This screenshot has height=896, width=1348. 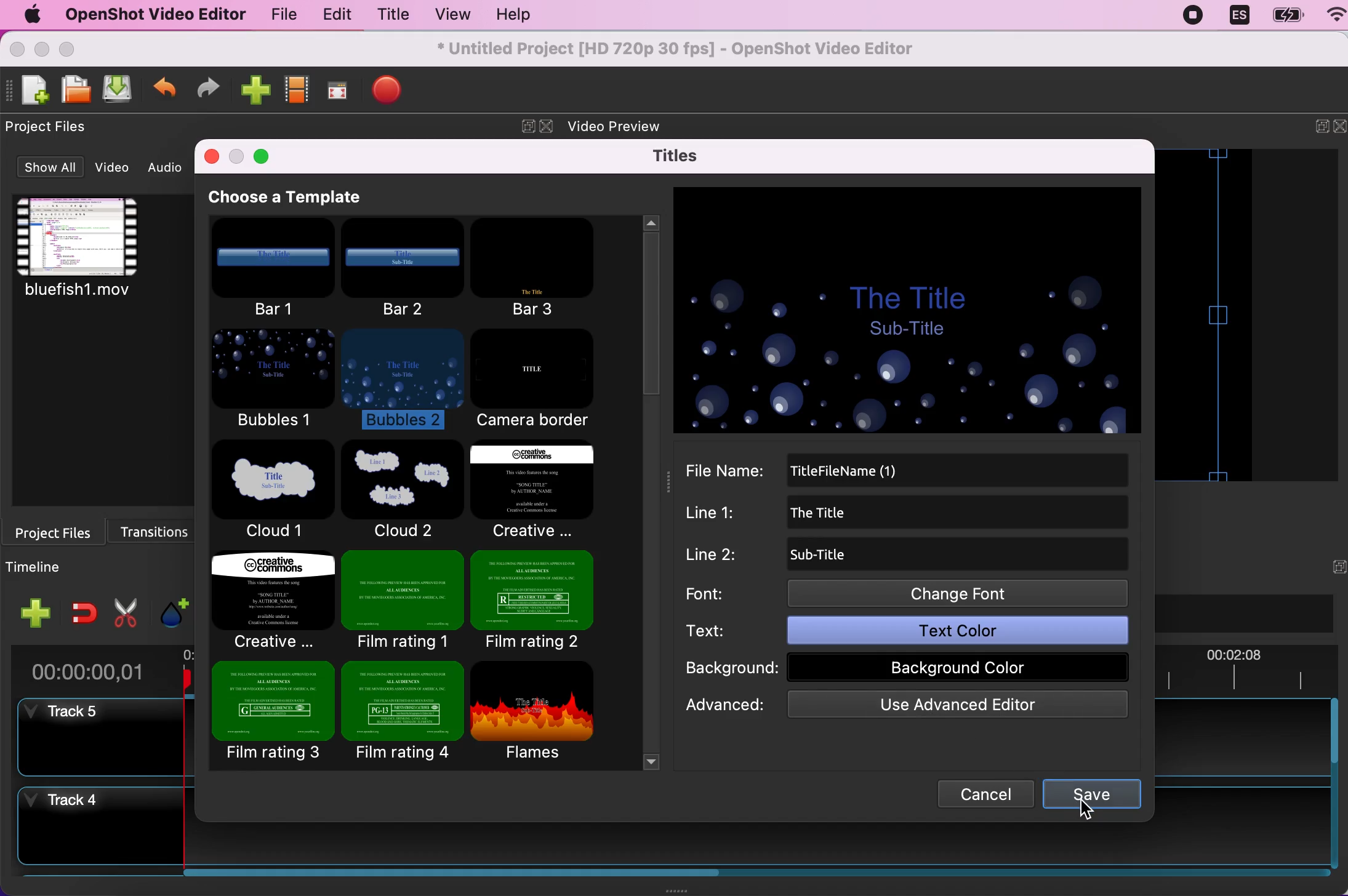 I want to click on text color, so click(x=953, y=631).